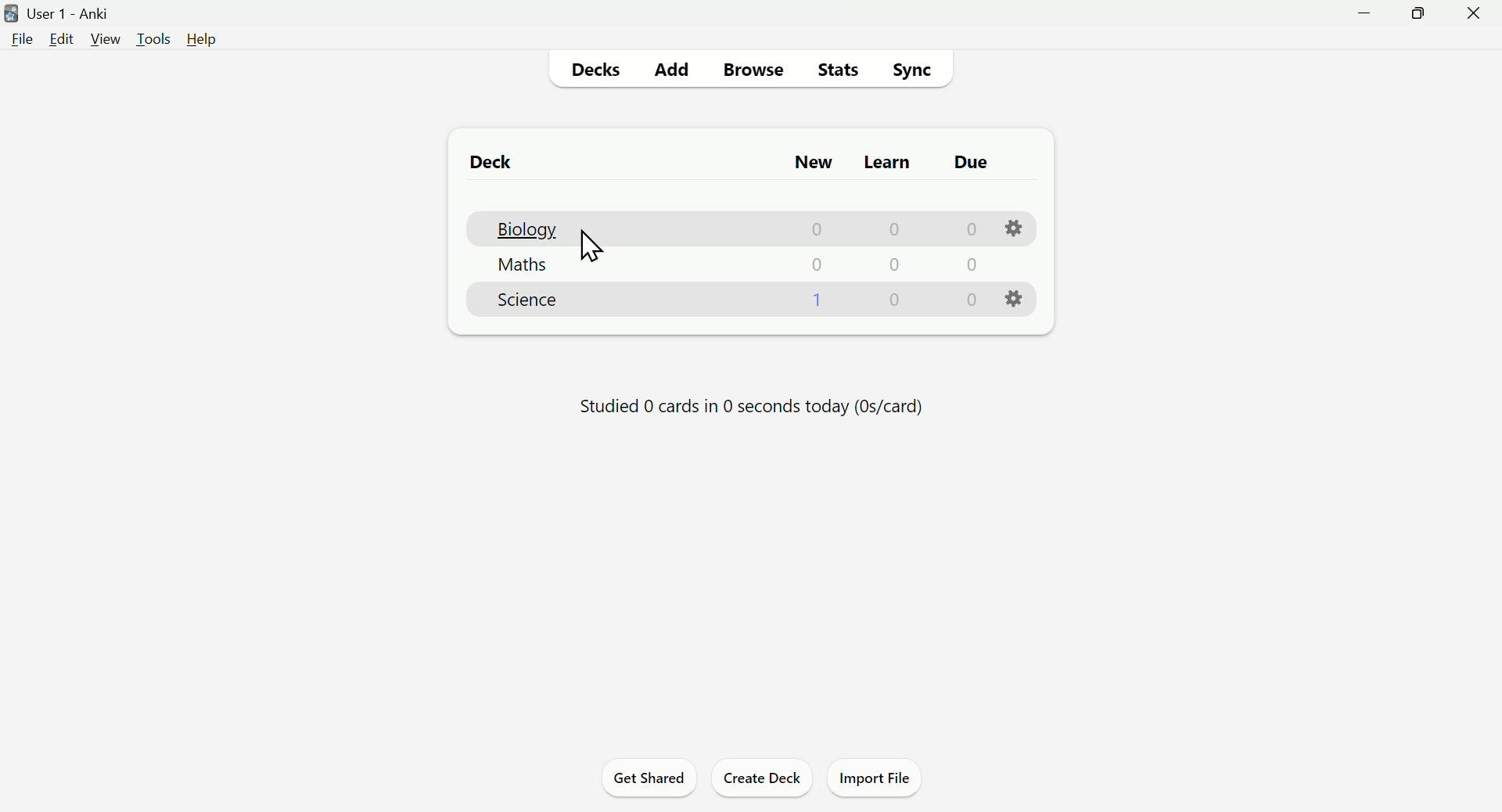 Image resolution: width=1502 pixels, height=812 pixels. What do you see at coordinates (893, 228) in the screenshot?
I see `0` at bounding box center [893, 228].